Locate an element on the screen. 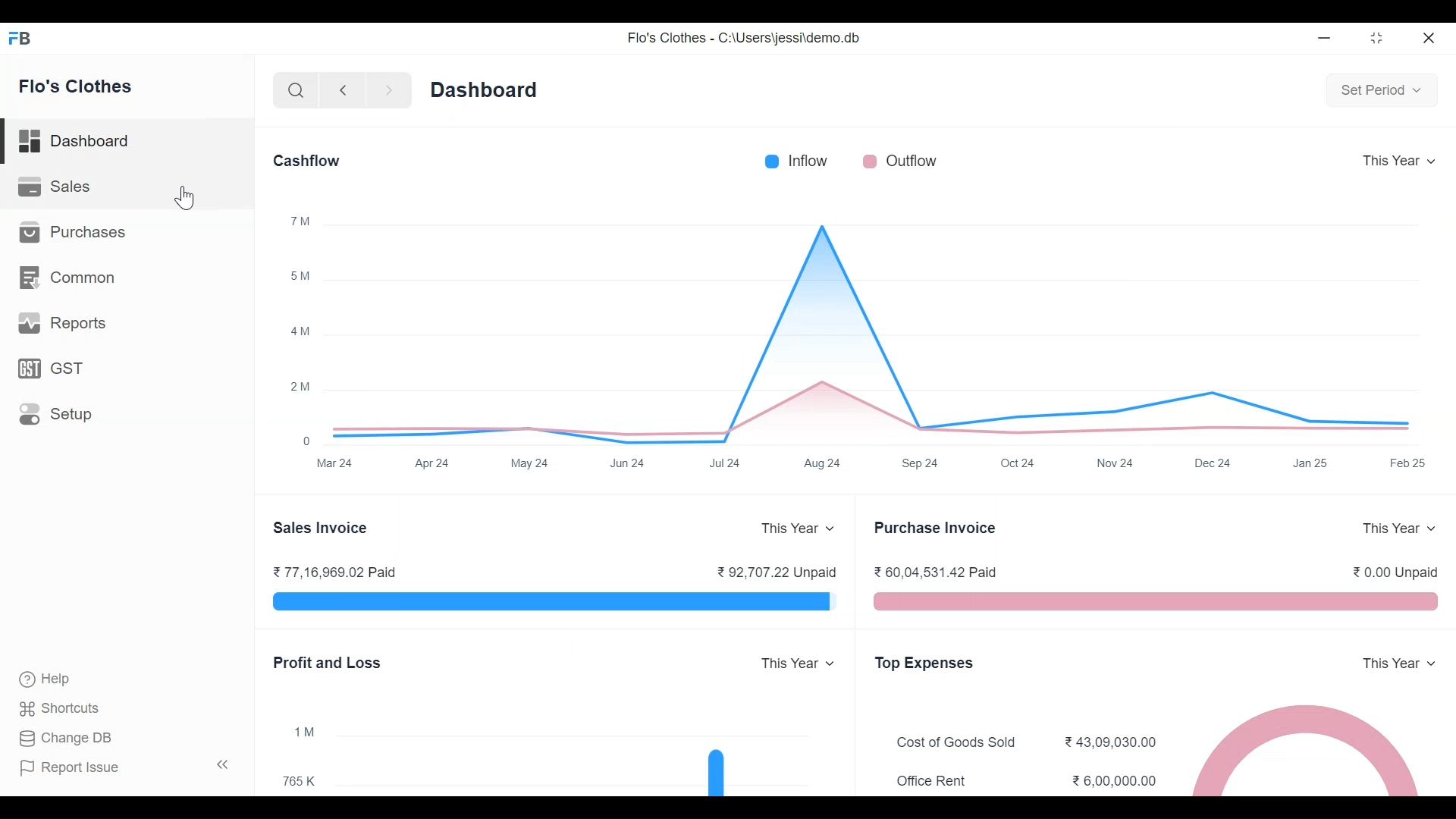  Setup is located at coordinates (57, 413).